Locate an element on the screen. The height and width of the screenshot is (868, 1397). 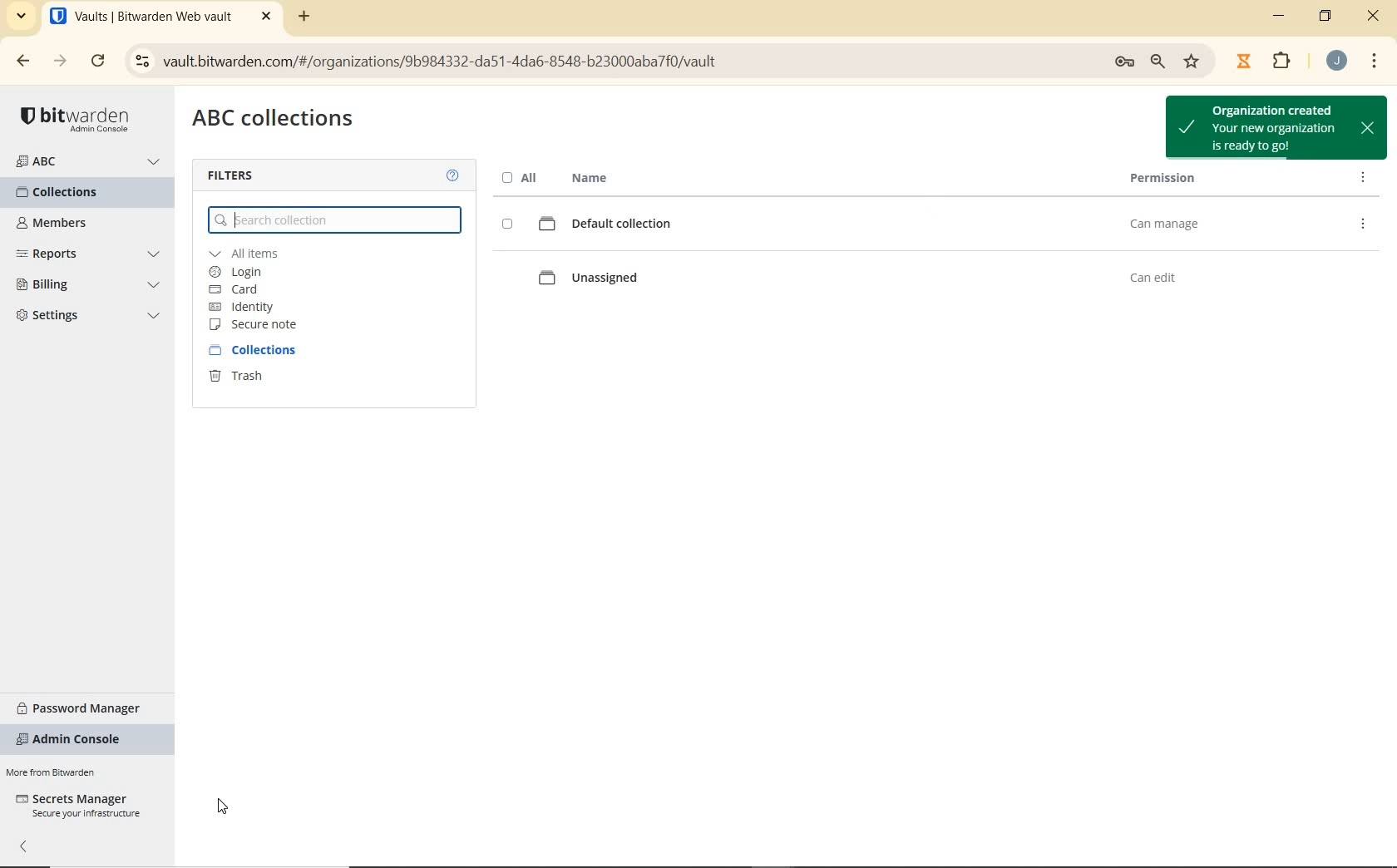
collections is located at coordinates (259, 350).